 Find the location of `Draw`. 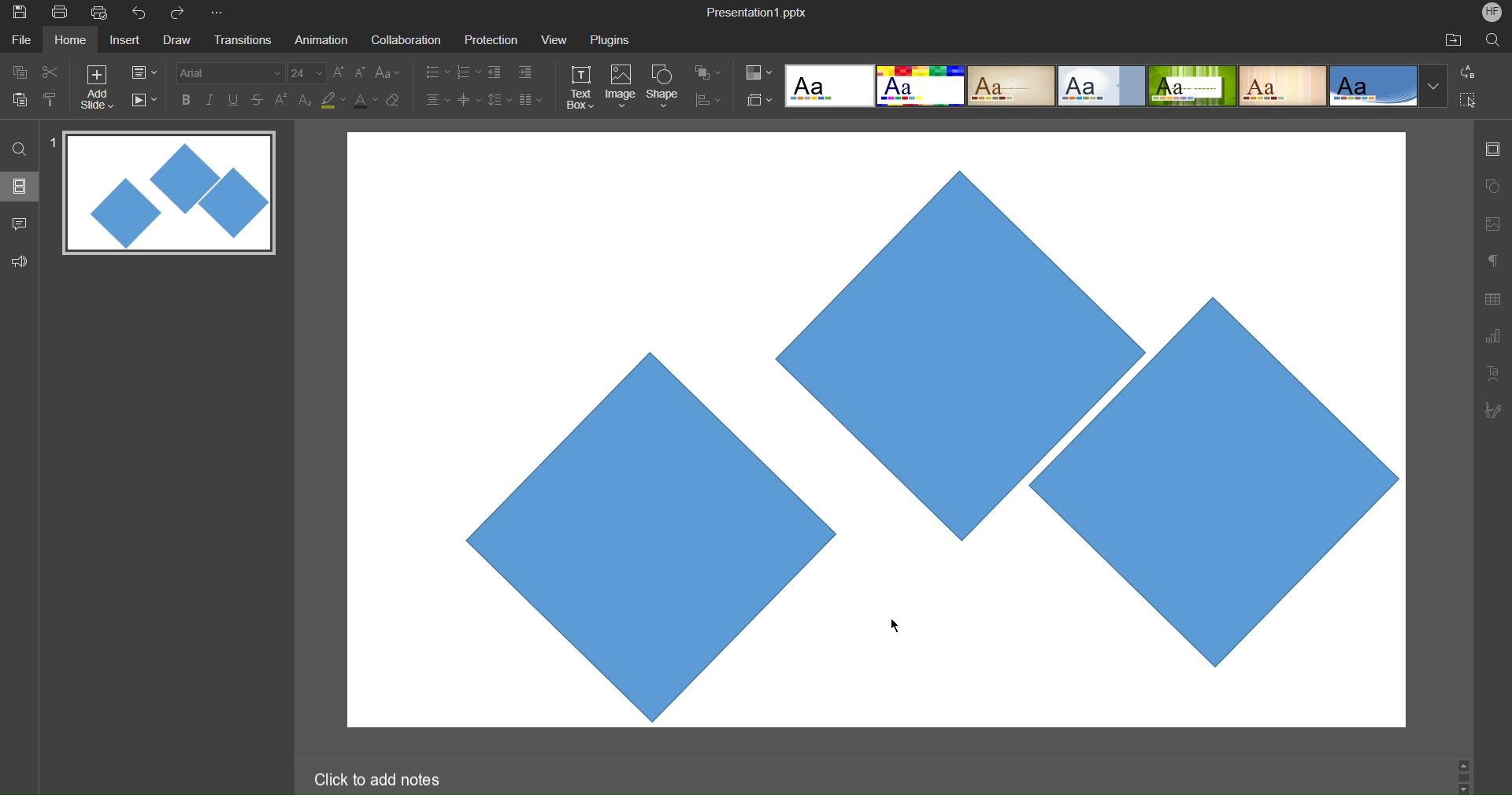

Draw is located at coordinates (176, 41).